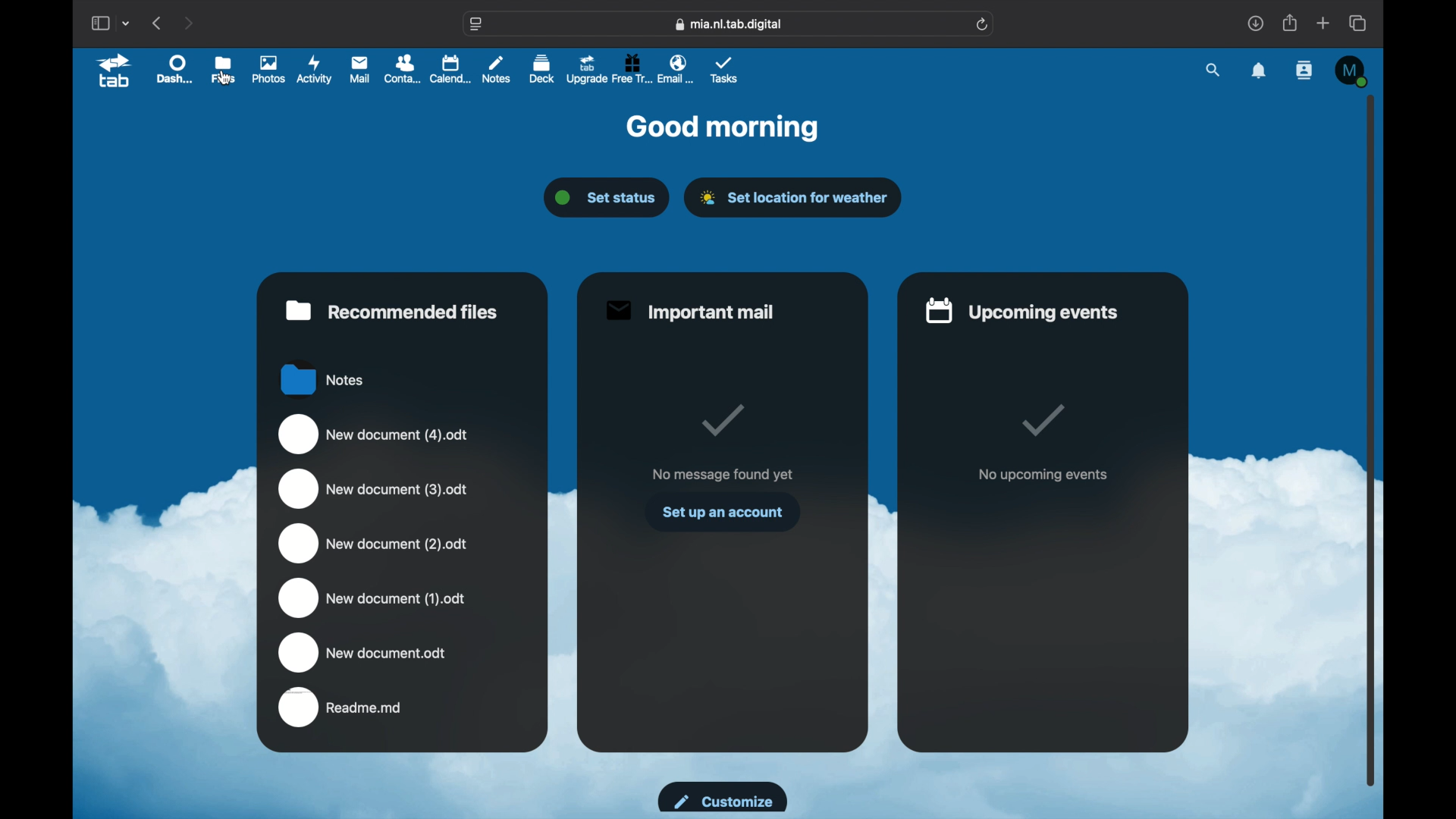 This screenshot has height=819, width=1456. I want to click on readme.md, so click(341, 708).